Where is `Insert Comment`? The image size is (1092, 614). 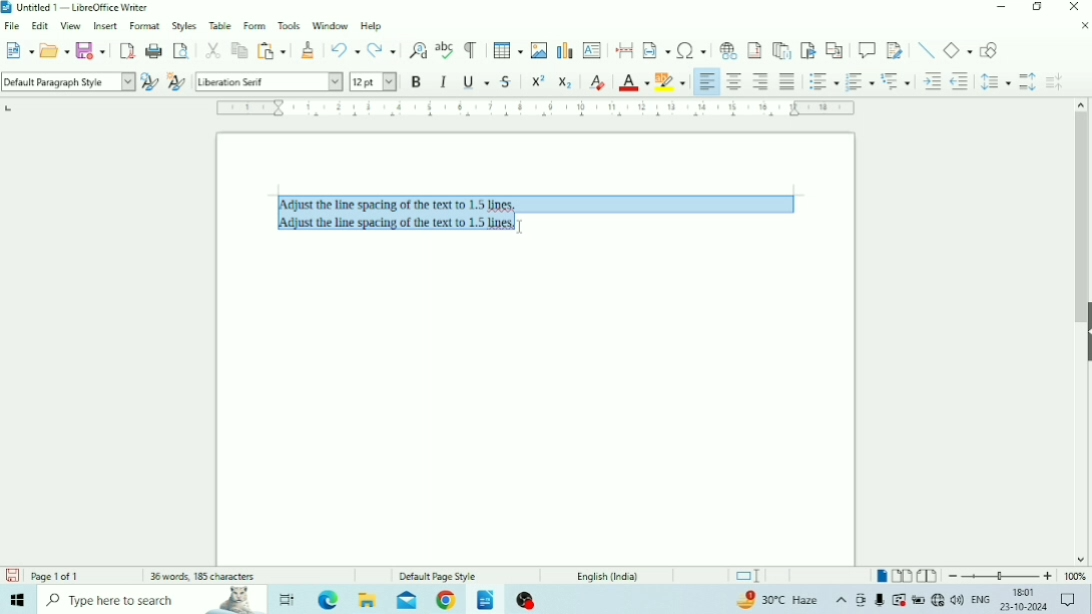
Insert Comment is located at coordinates (867, 50).